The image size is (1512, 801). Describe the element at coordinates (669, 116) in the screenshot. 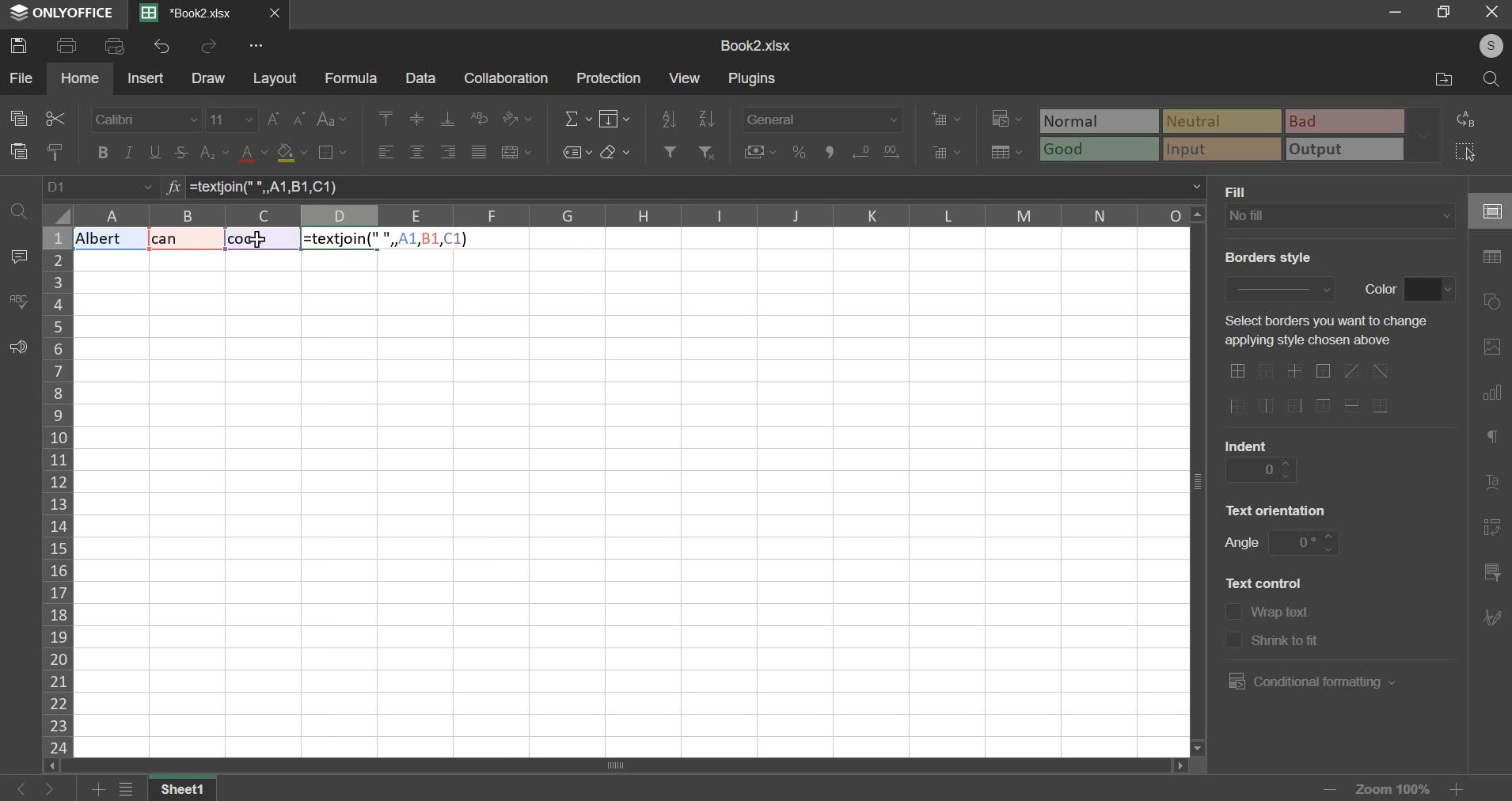

I see `sort ascending` at that location.